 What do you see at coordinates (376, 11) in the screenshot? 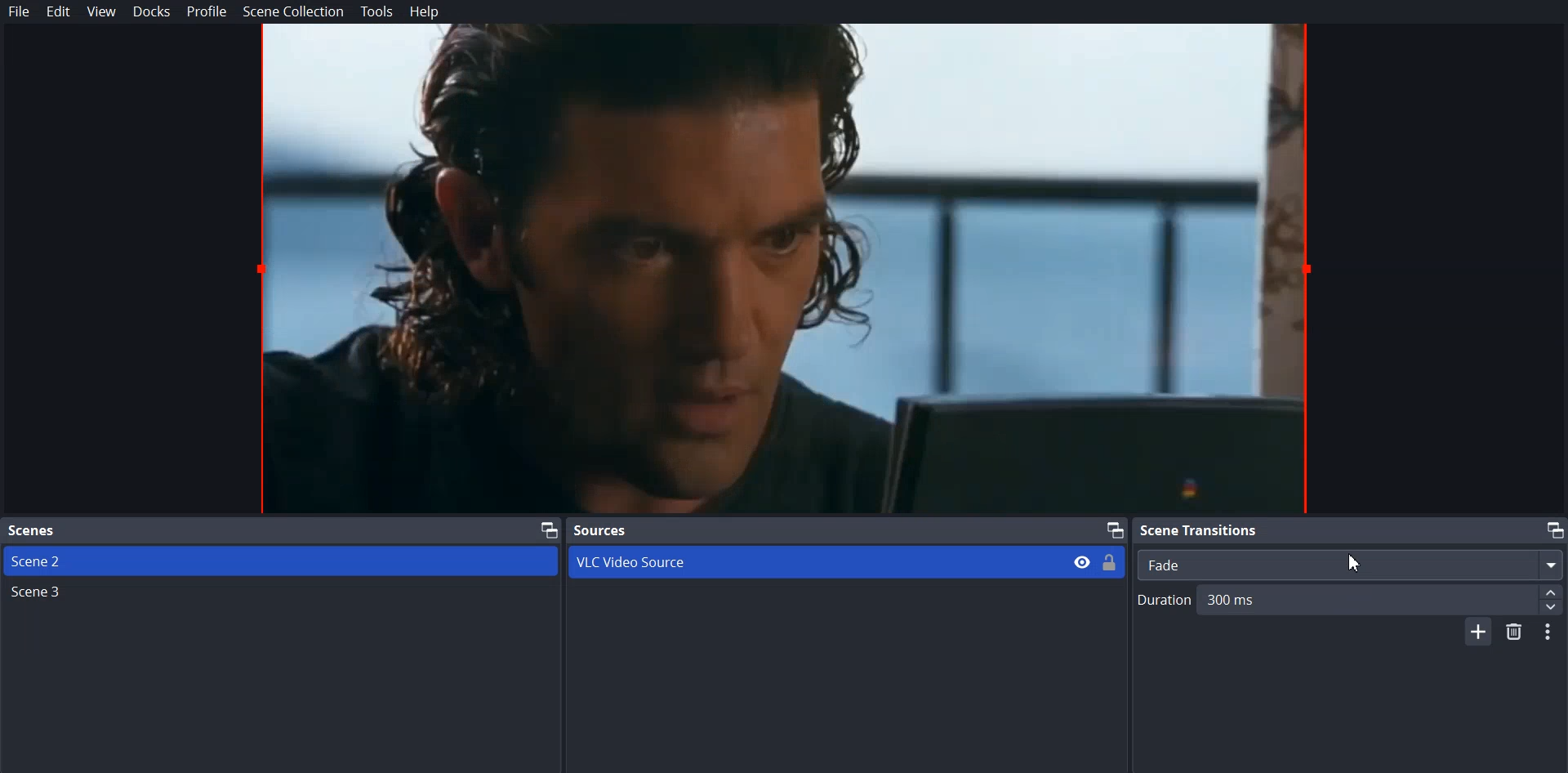
I see `Tools` at bounding box center [376, 11].